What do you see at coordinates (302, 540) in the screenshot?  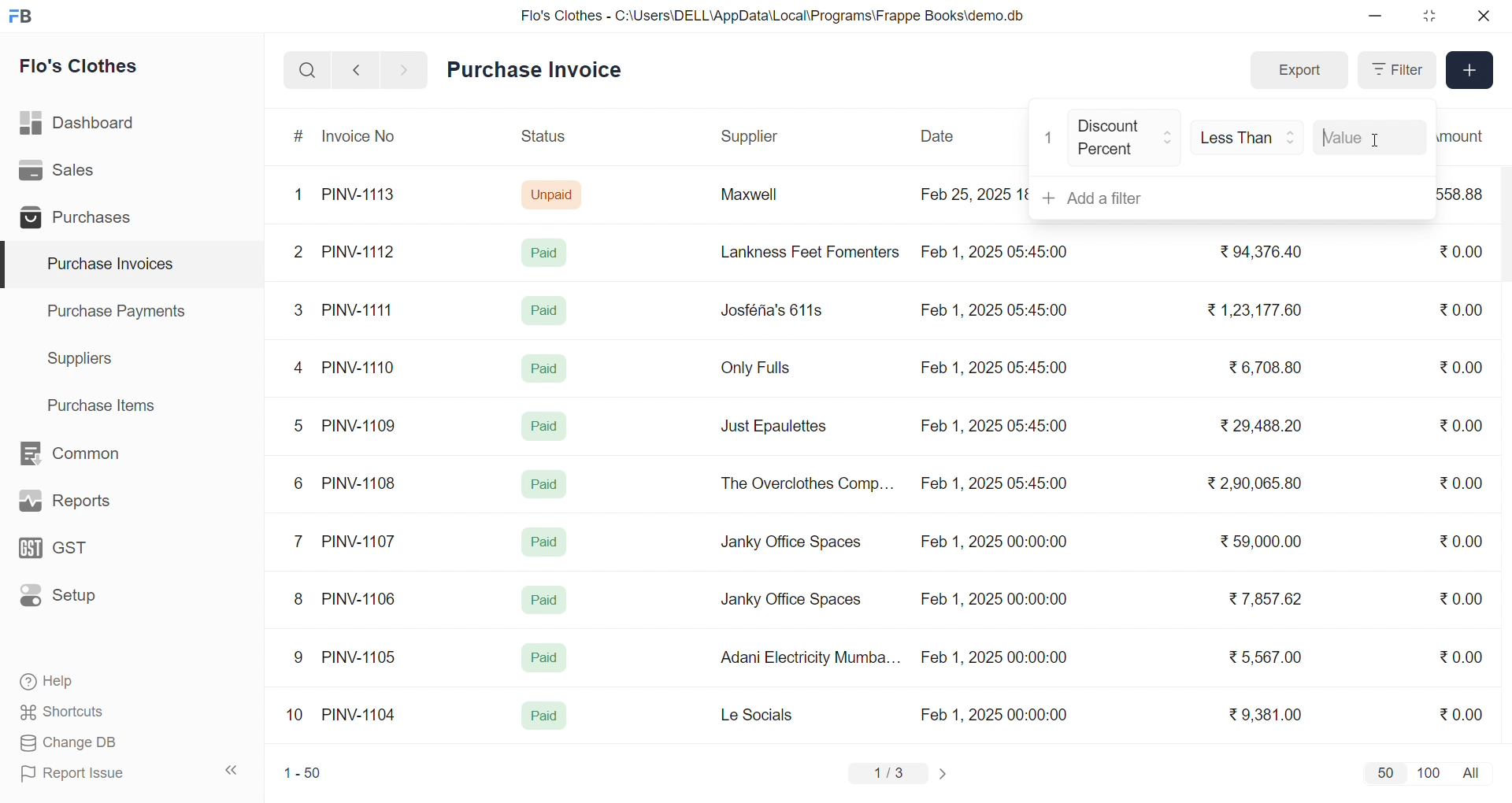 I see `7` at bounding box center [302, 540].